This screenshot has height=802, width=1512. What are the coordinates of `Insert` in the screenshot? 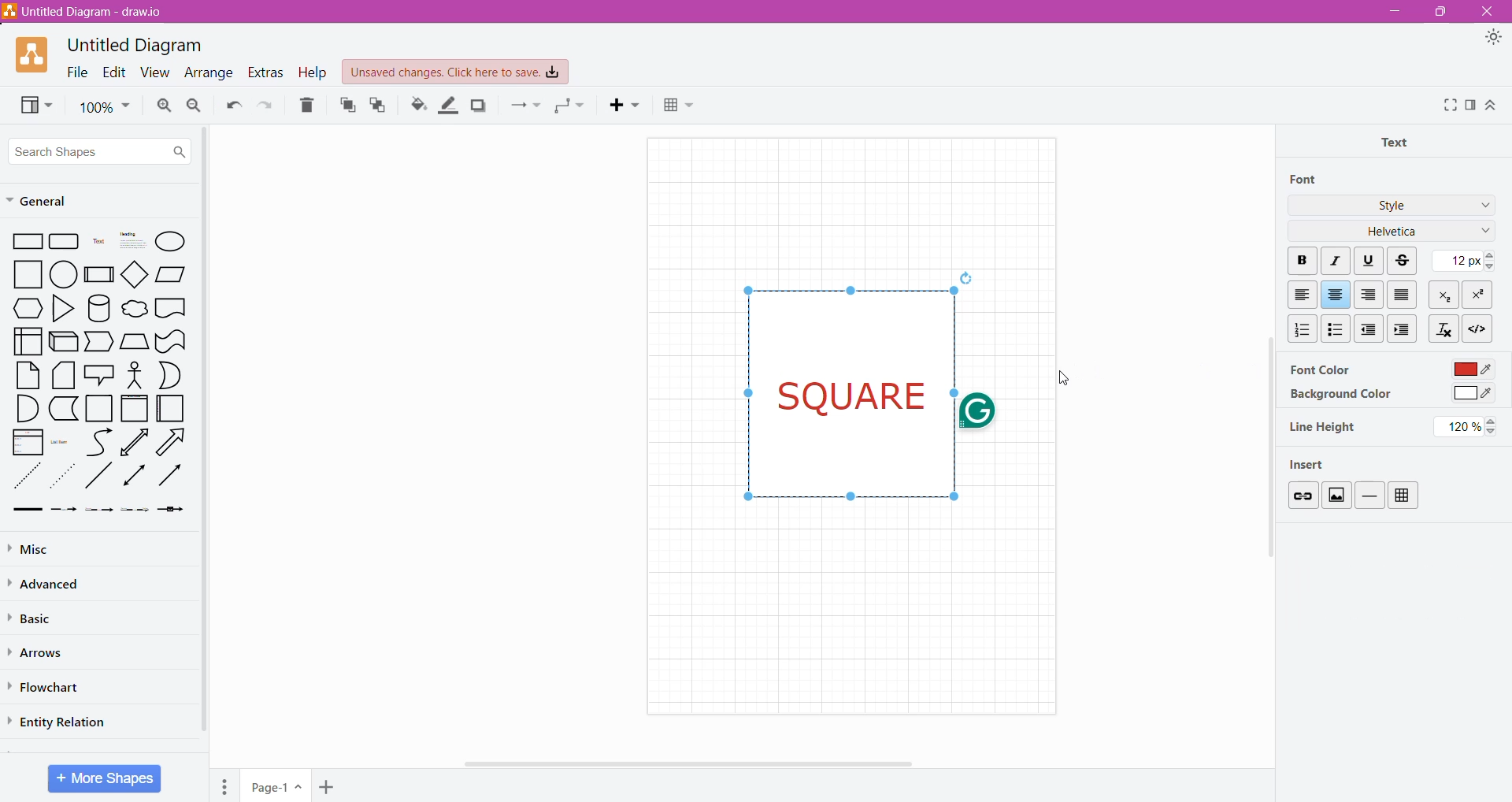 It's located at (624, 106).